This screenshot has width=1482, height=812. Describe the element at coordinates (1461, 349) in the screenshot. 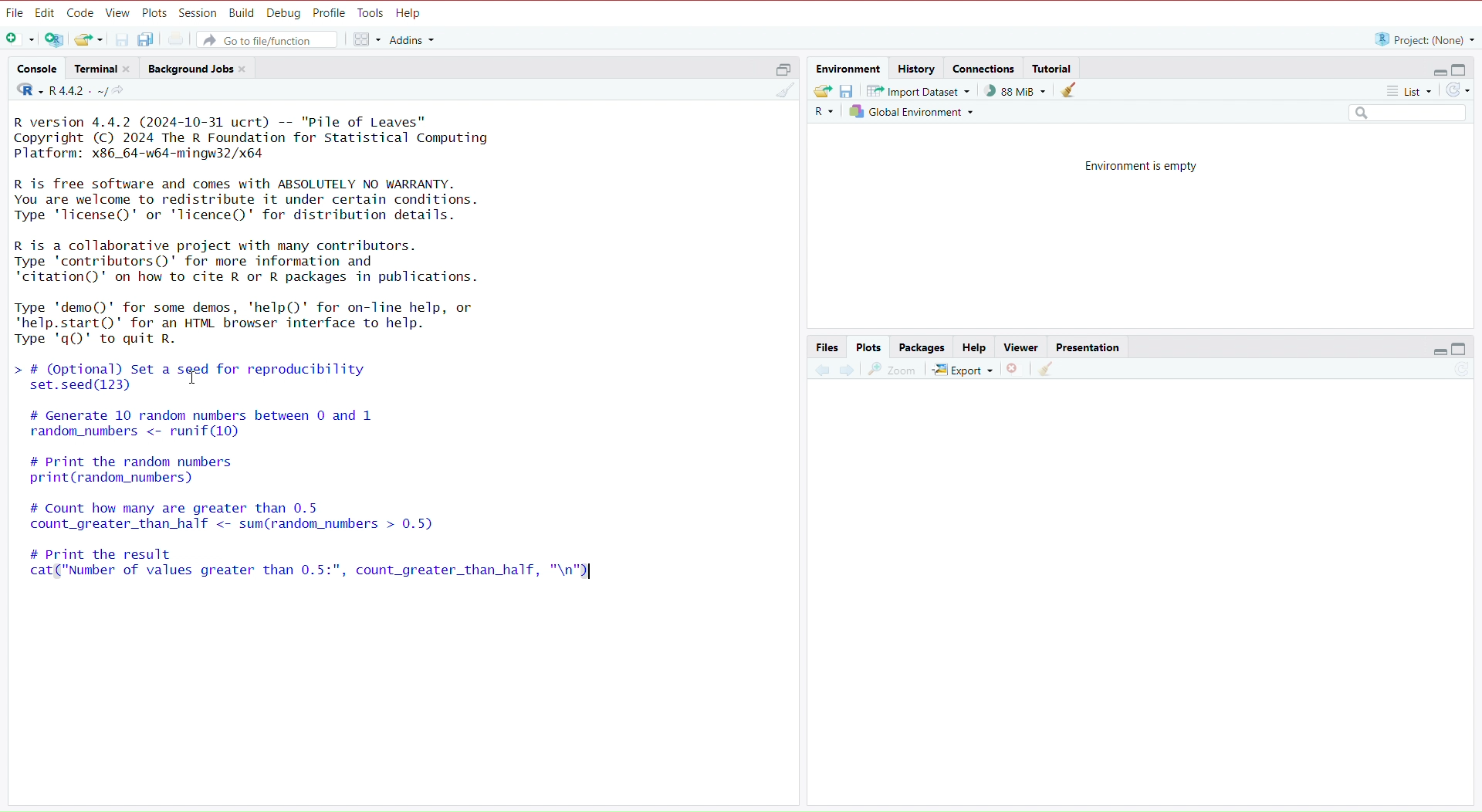

I see `Full Height` at that location.